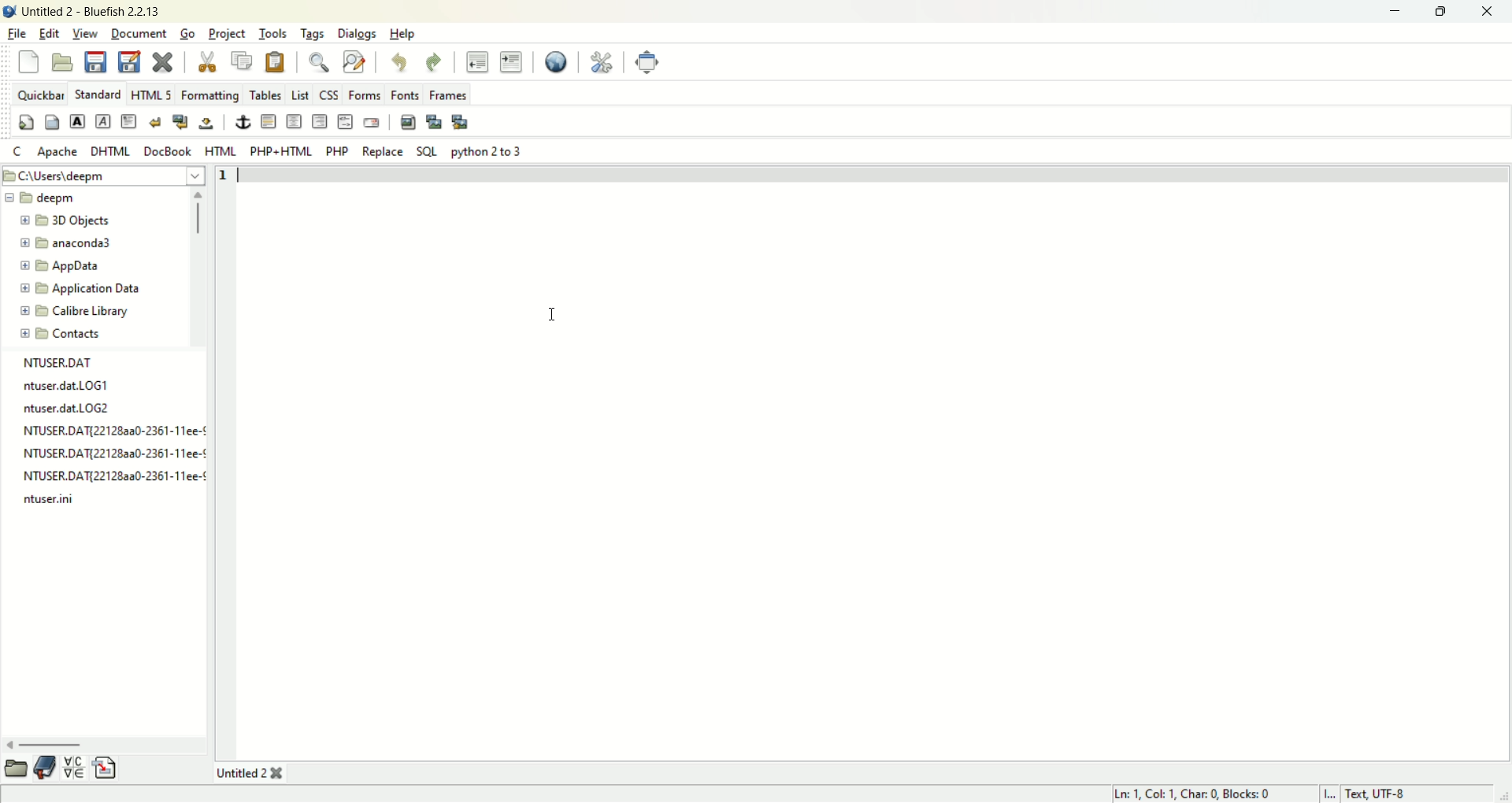 This screenshot has height=803, width=1512. I want to click on insert thumbnail, so click(432, 121).